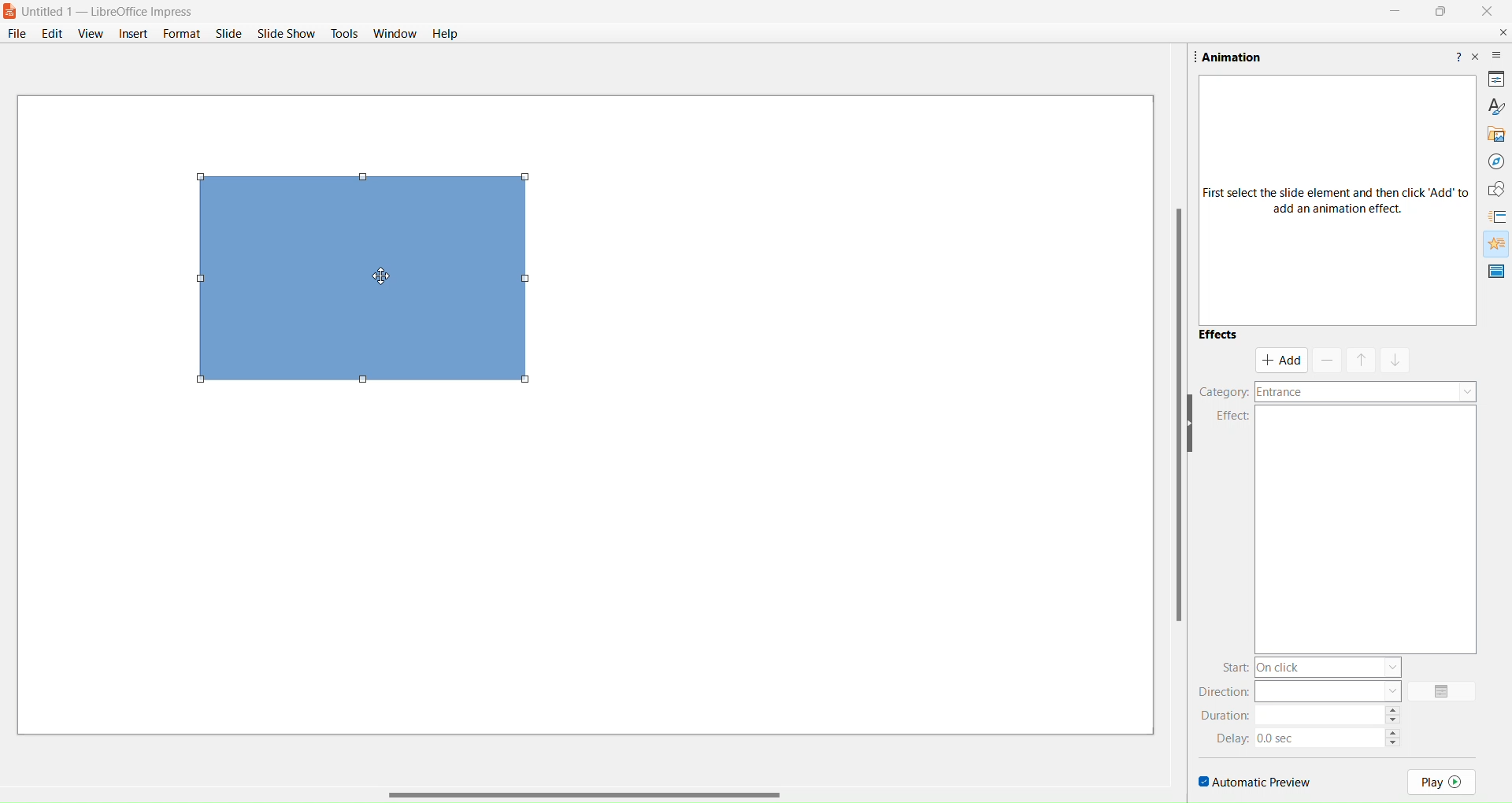 This screenshot has height=803, width=1512. What do you see at coordinates (1239, 56) in the screenshot?
I see `Animation` at bounding box center [1239, 56].